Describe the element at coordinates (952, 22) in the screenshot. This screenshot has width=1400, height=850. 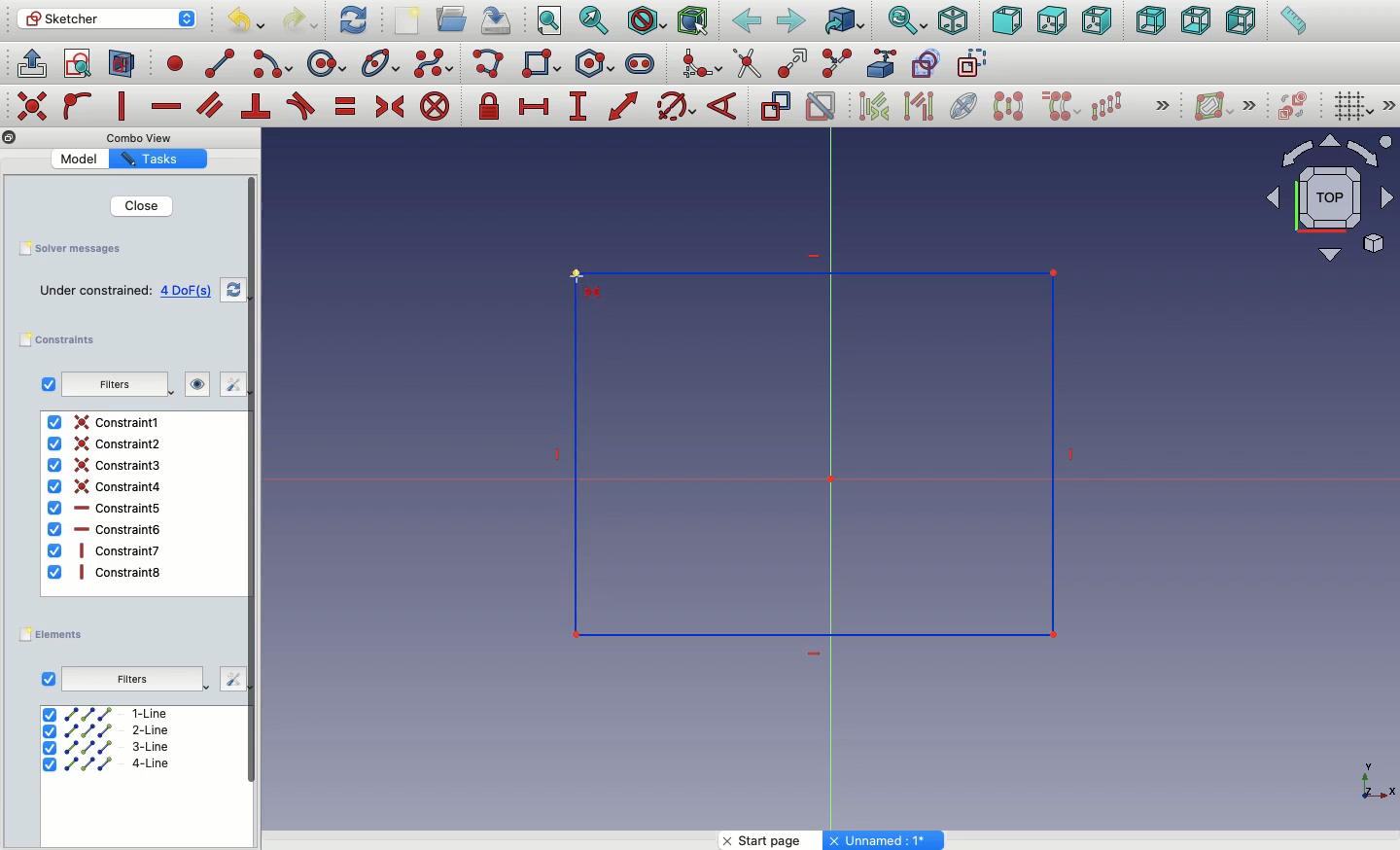
I see `Isometric` at that location.